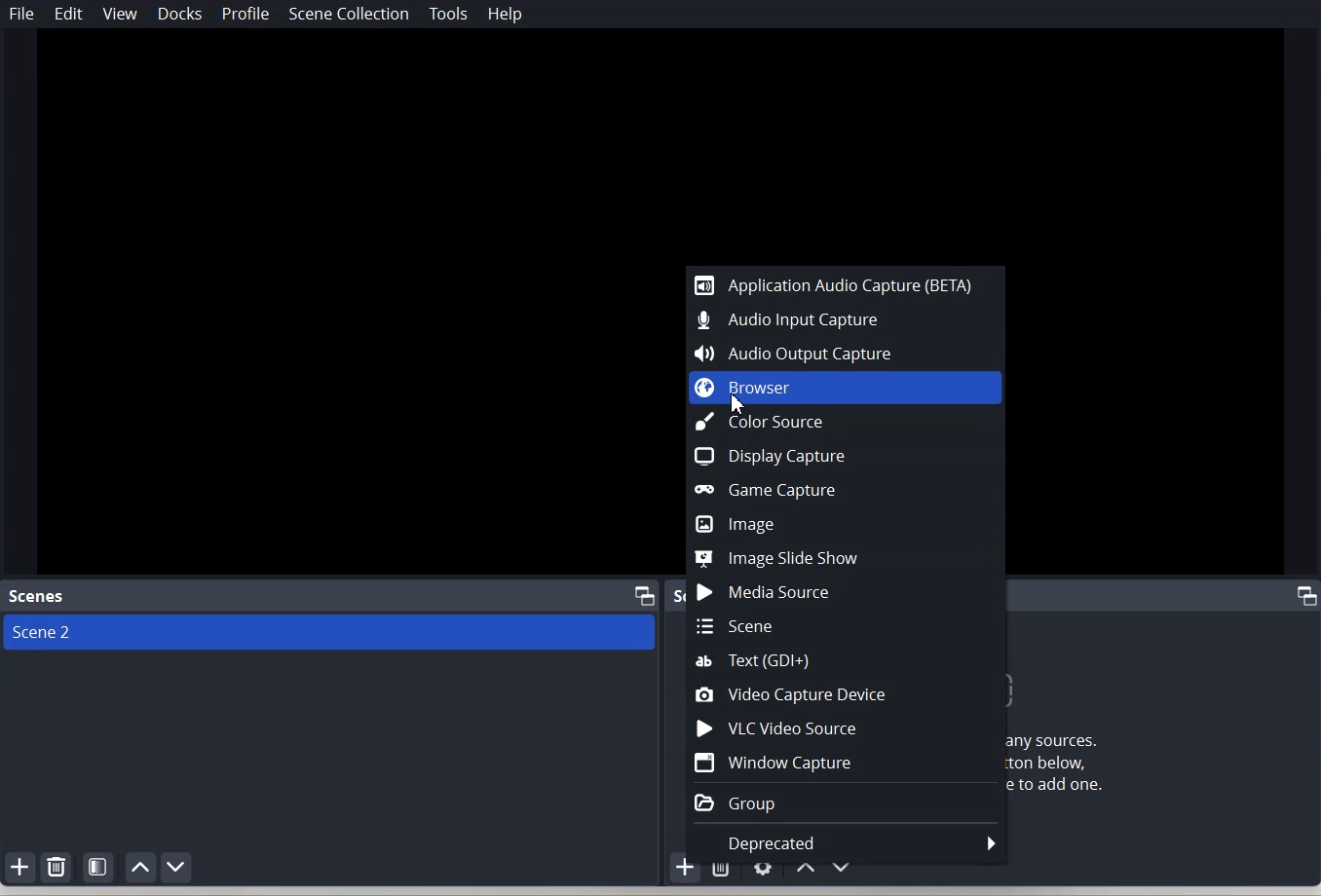  What do you see at coordinates (846, 387) in the screenshot?
I see `Browse` at bounding box center [846, 387].